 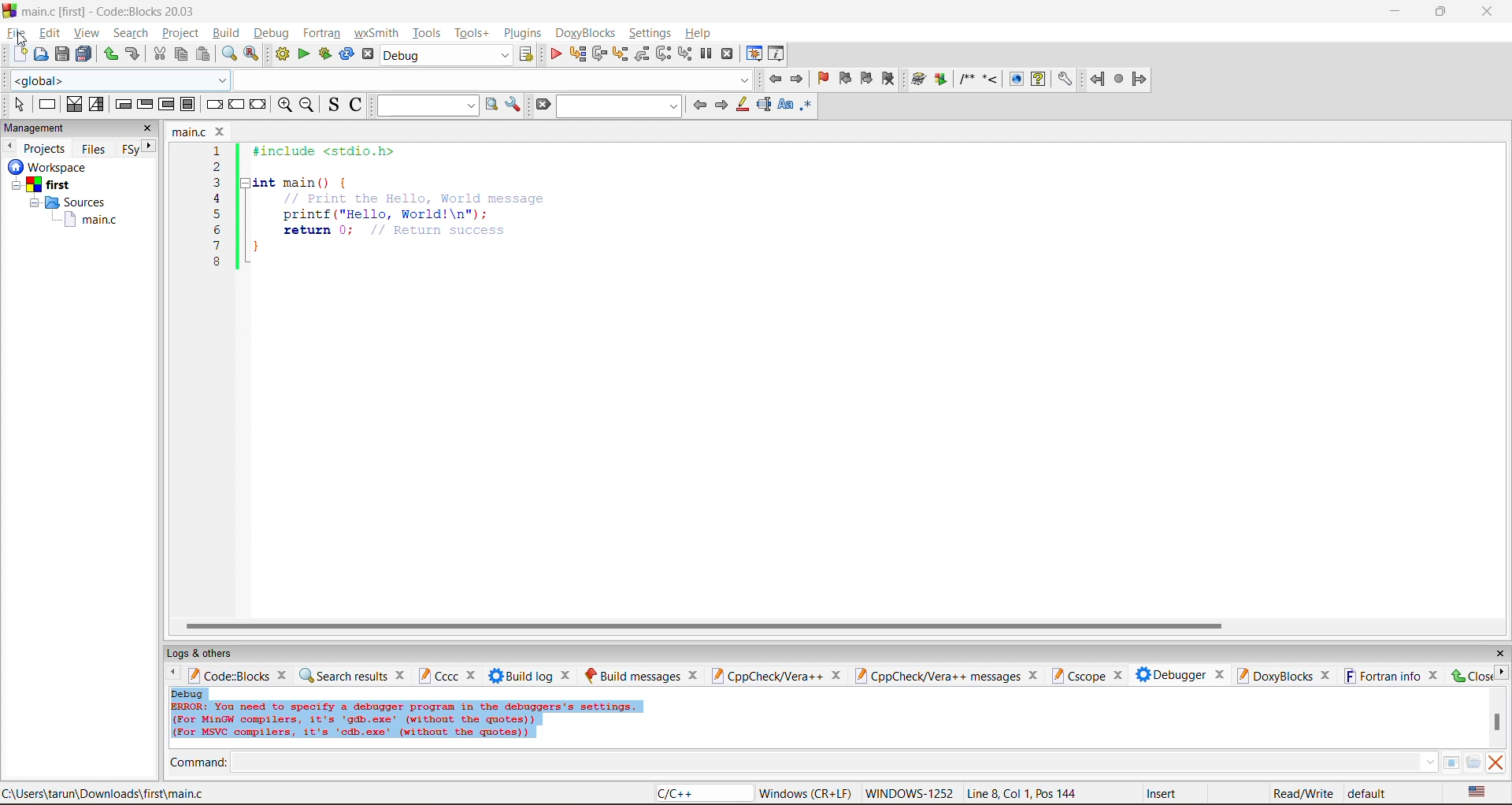 I want to click on build and run, so click(x=325, y=54).